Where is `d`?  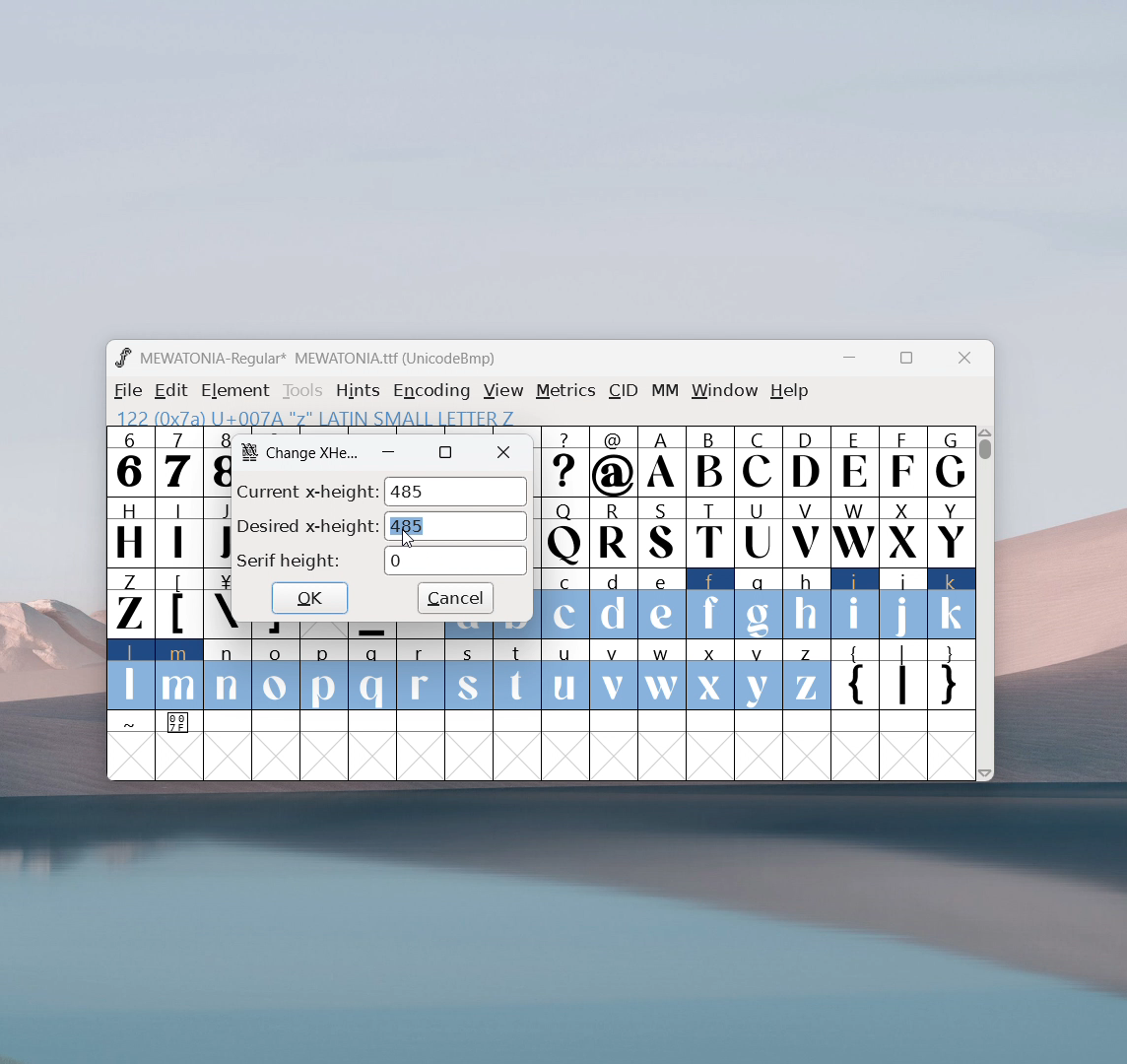
d is located at coordinates (613, 604).